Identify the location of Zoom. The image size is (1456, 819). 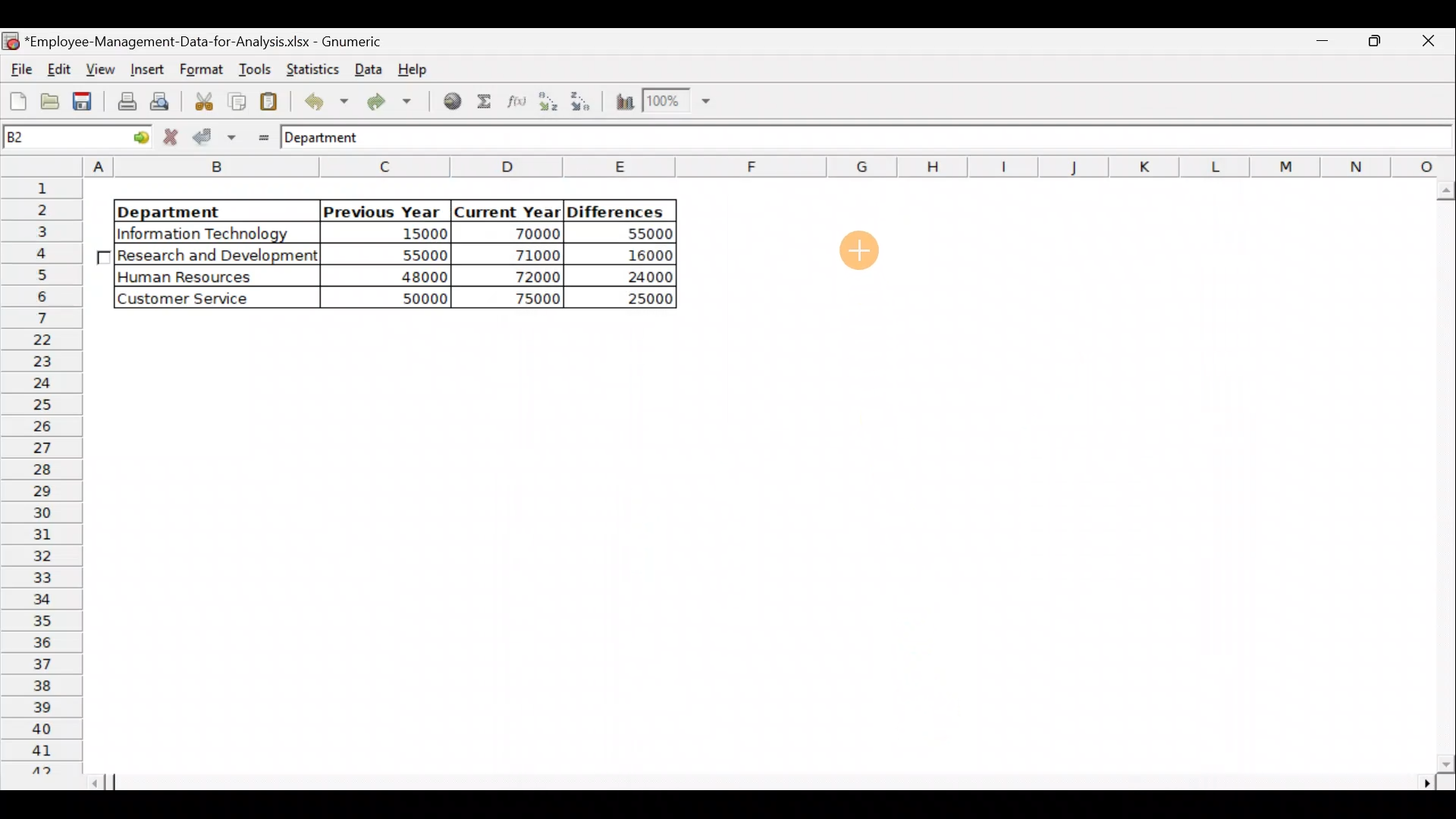
(676, 103).